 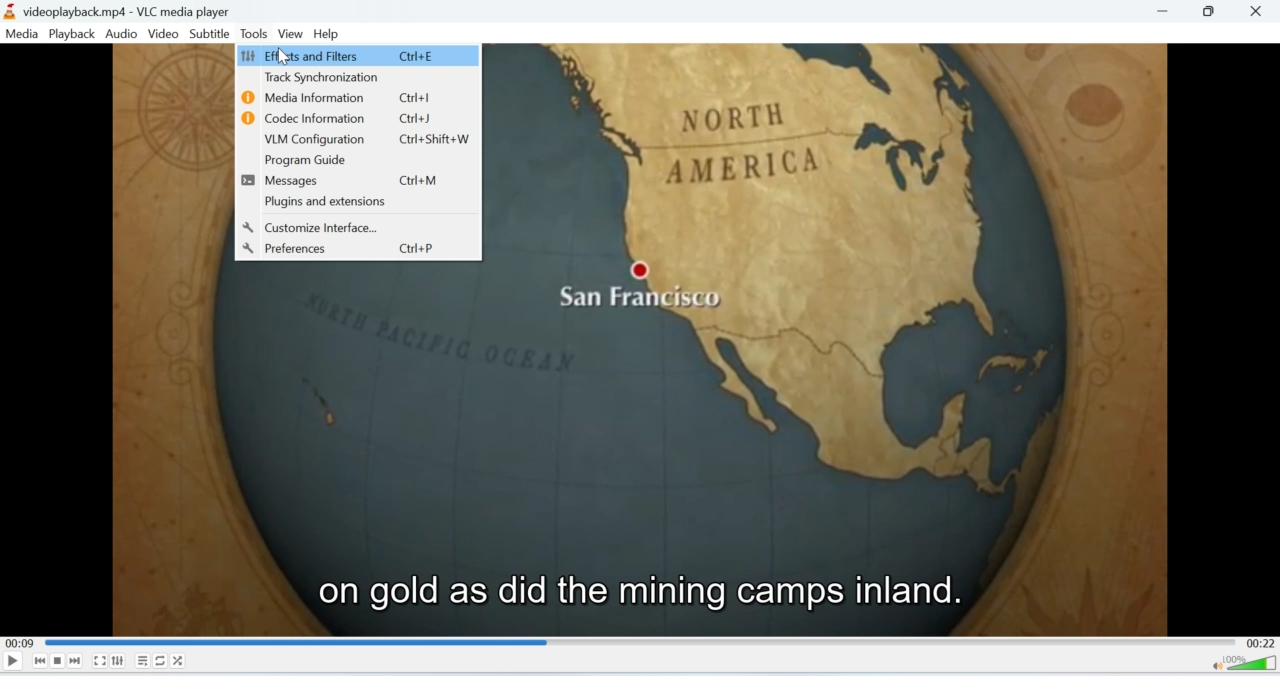 I want to click on Extended Settings, so click(x=118, y=661).